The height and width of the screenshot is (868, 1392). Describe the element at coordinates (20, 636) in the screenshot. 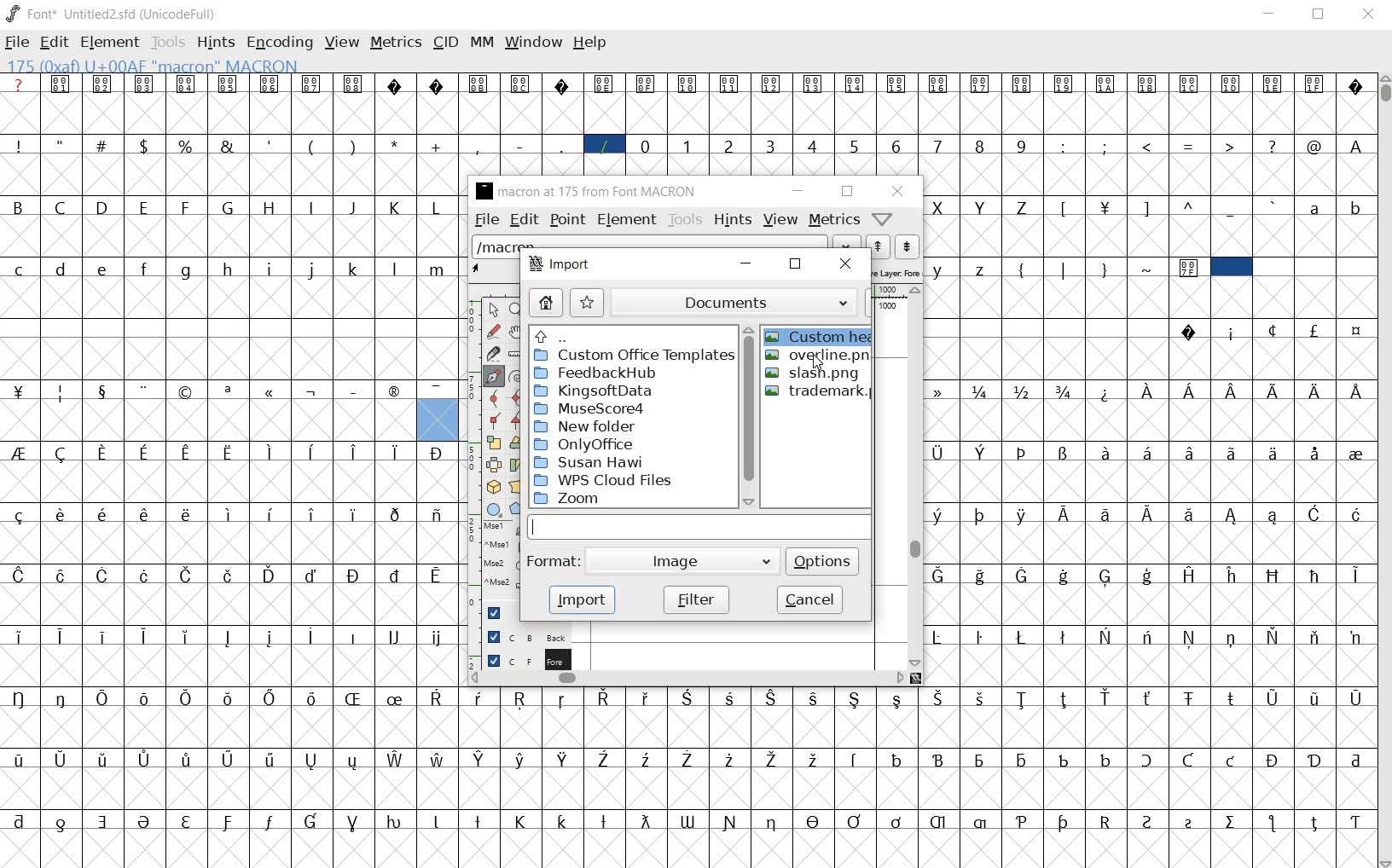

I see `Symbol` at that location.